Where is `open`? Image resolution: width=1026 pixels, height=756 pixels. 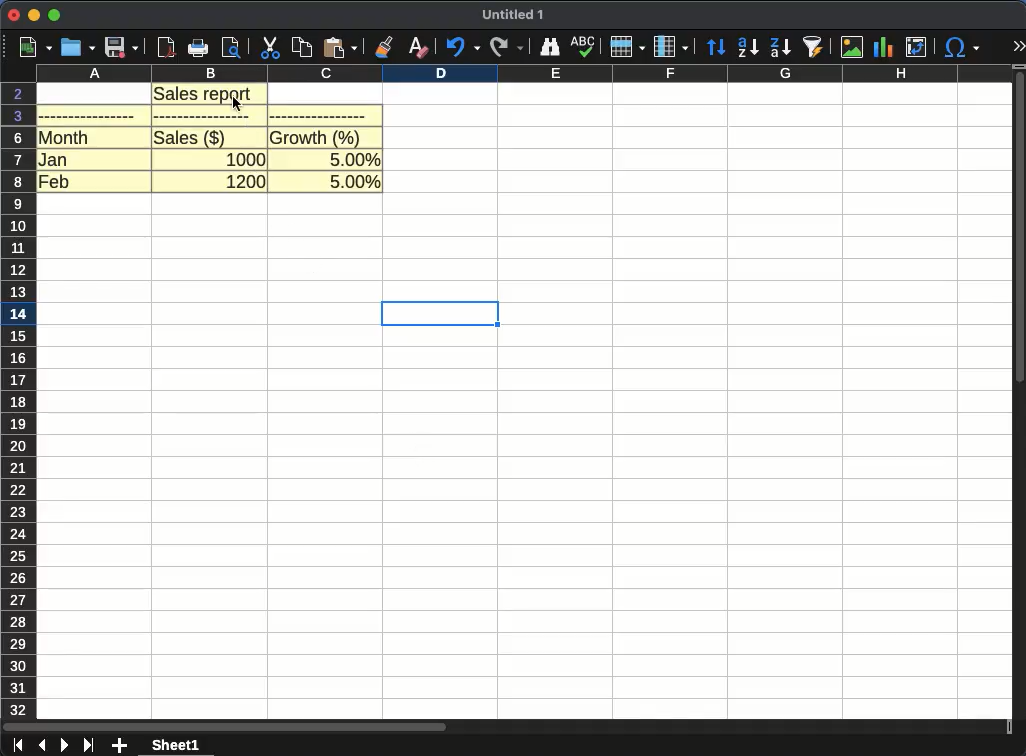
open is located at coordinates (78, 48).